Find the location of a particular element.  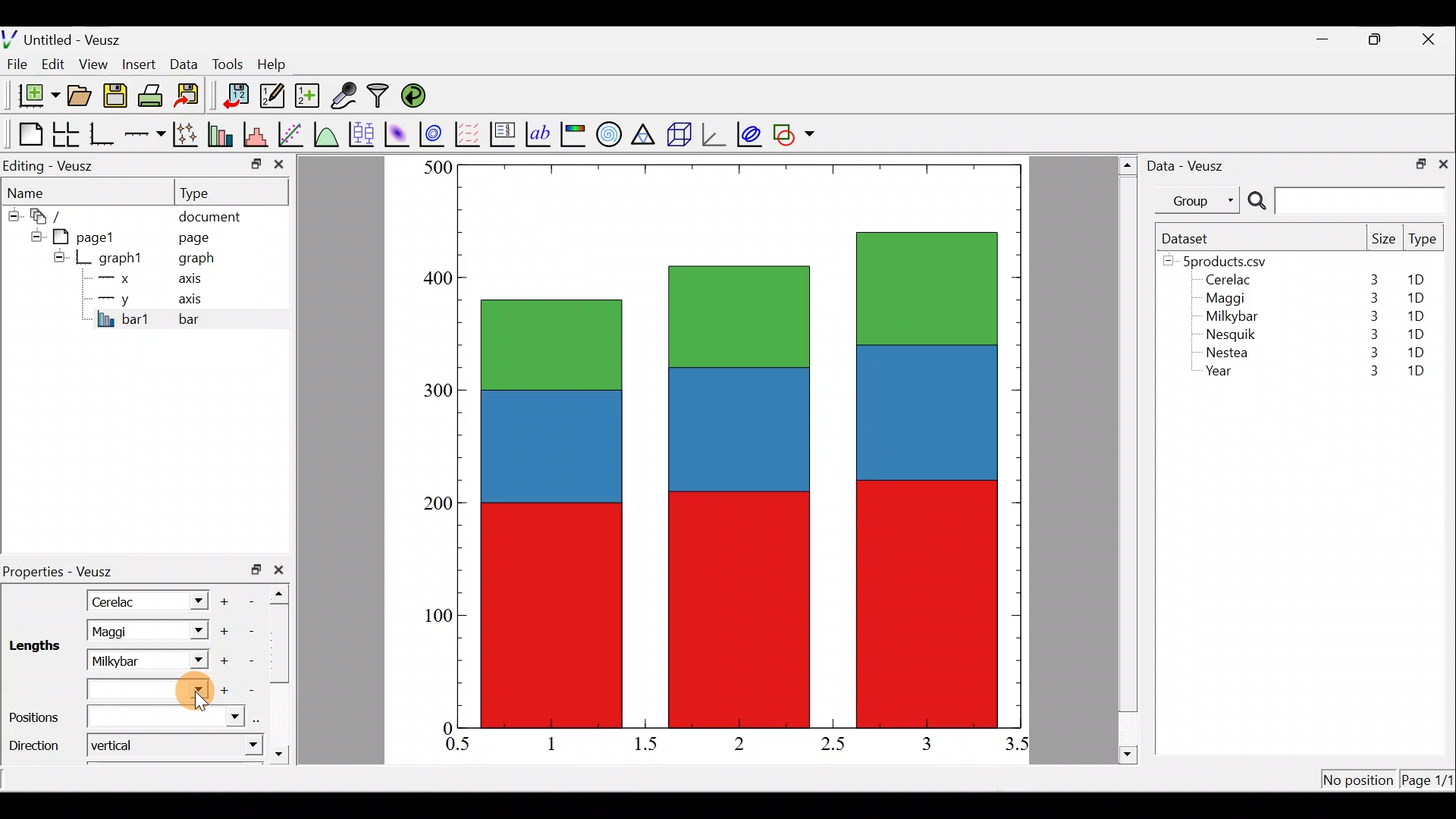

Size is located at coordinates (1383, 240).